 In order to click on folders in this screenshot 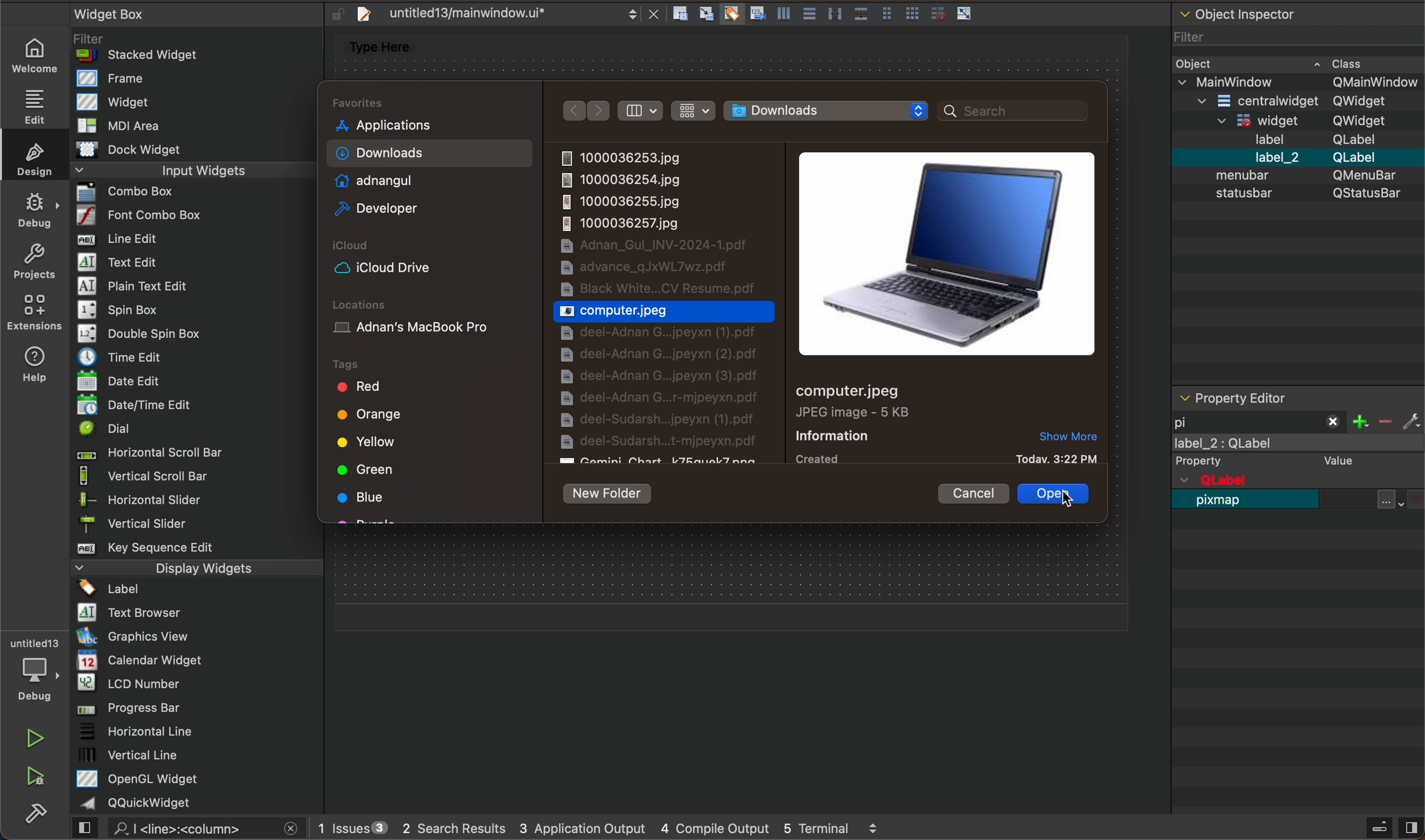, I will do `click(430, 162)`.